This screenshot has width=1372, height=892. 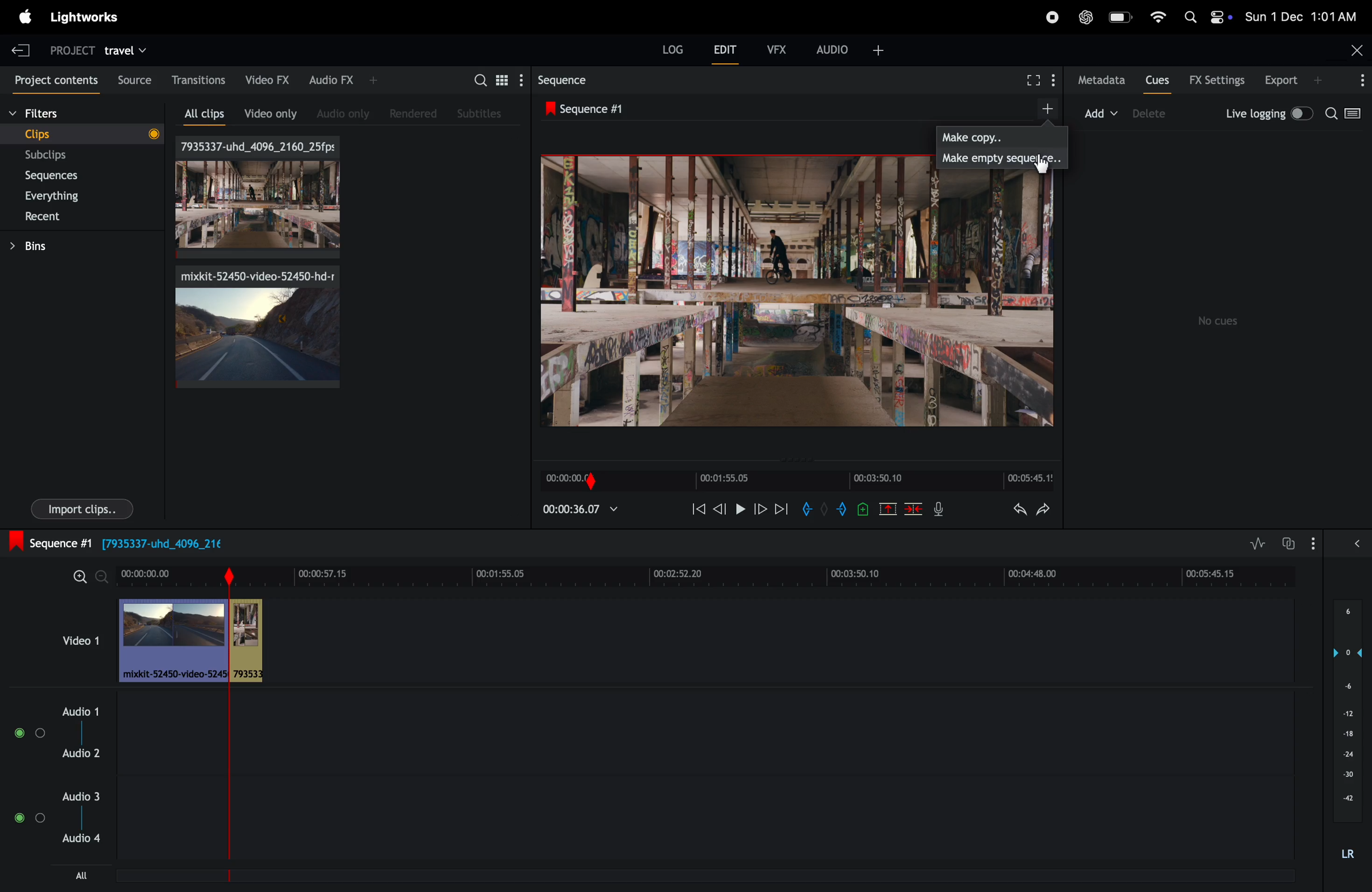 I want to click on forward, so click(x=759, y=508).